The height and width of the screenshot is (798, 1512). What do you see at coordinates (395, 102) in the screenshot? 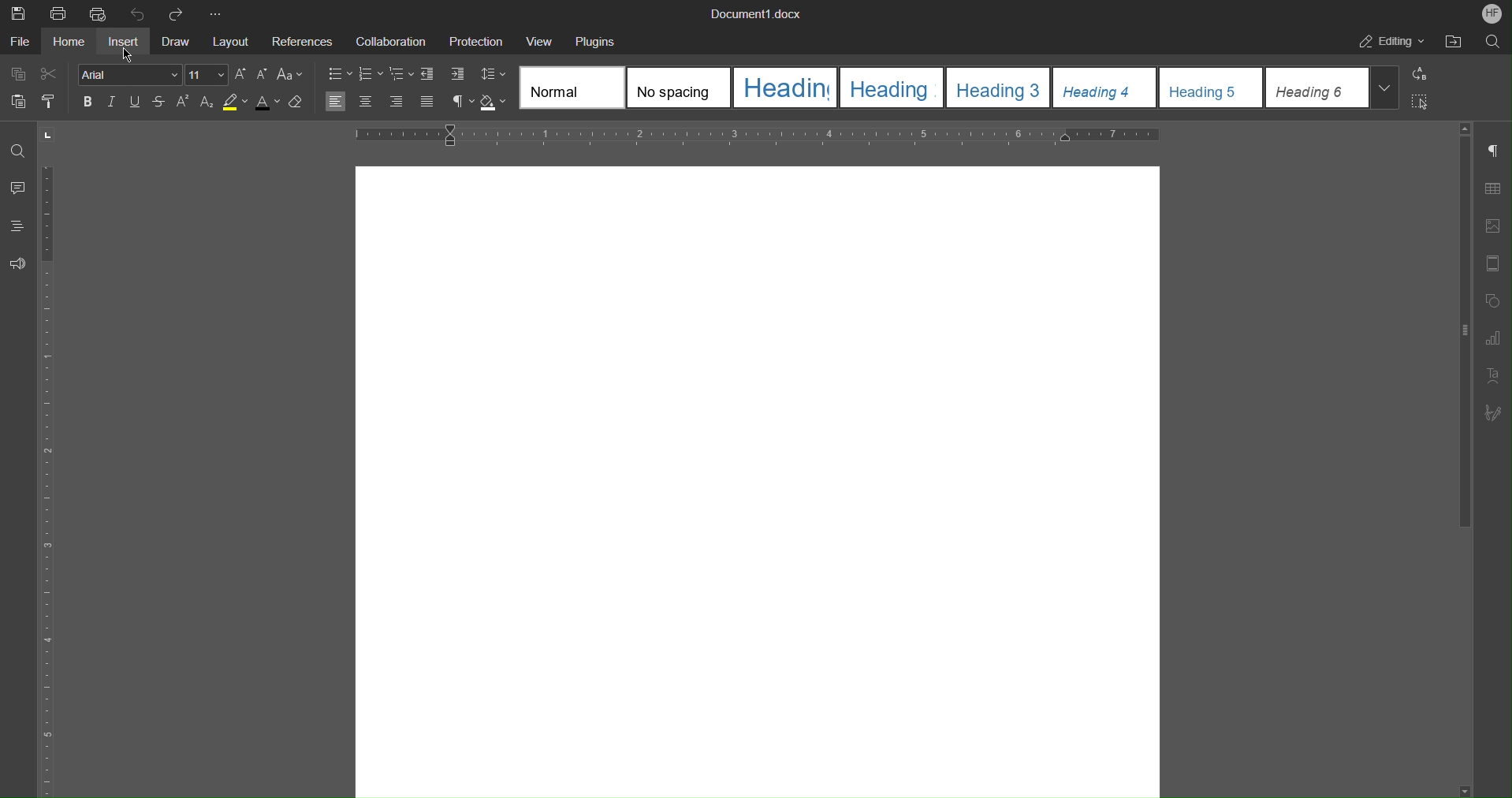
I see `Right Align` at bounding box center [395, 102].